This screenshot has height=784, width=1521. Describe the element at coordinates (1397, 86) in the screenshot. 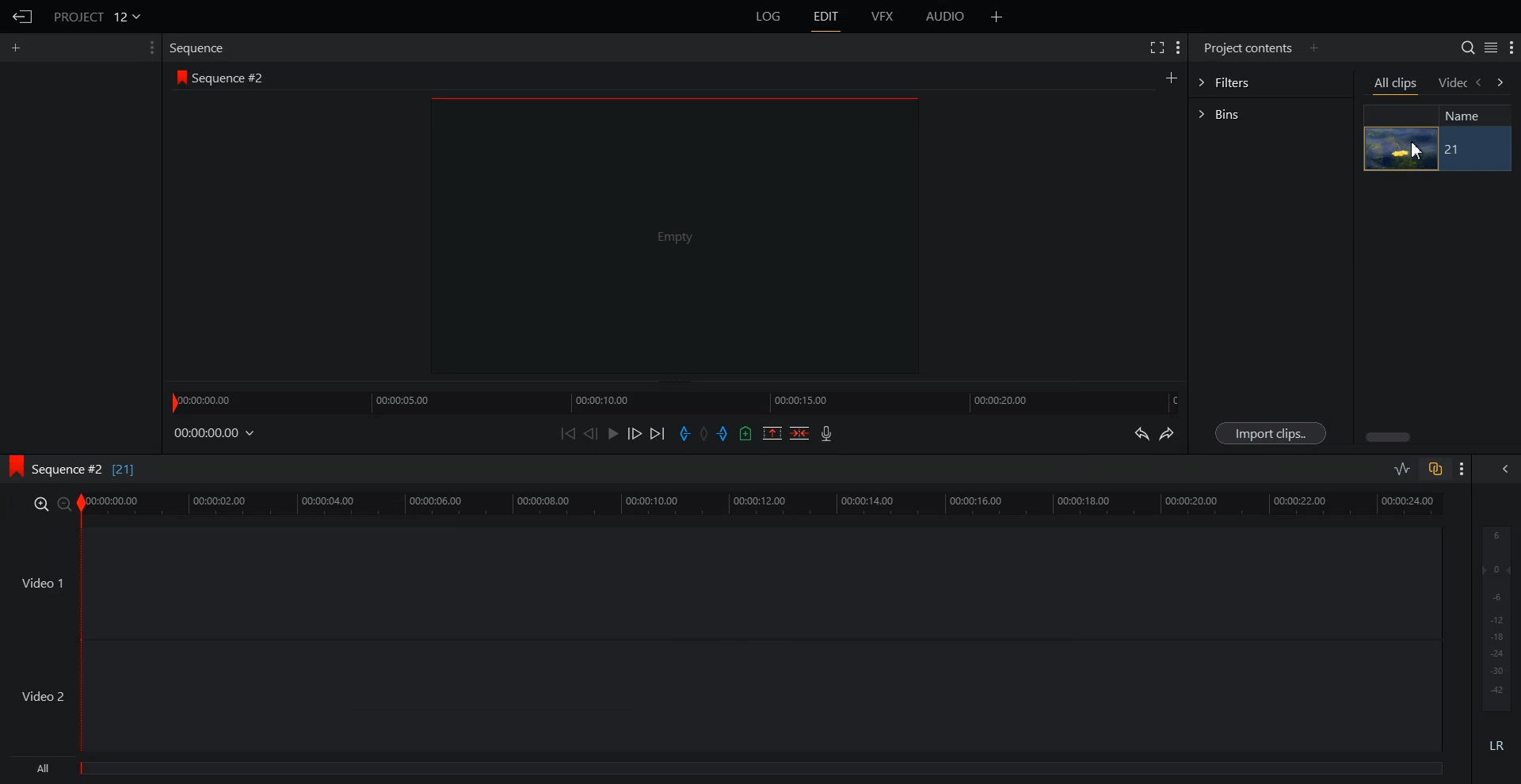

I see `All clips` at that location.